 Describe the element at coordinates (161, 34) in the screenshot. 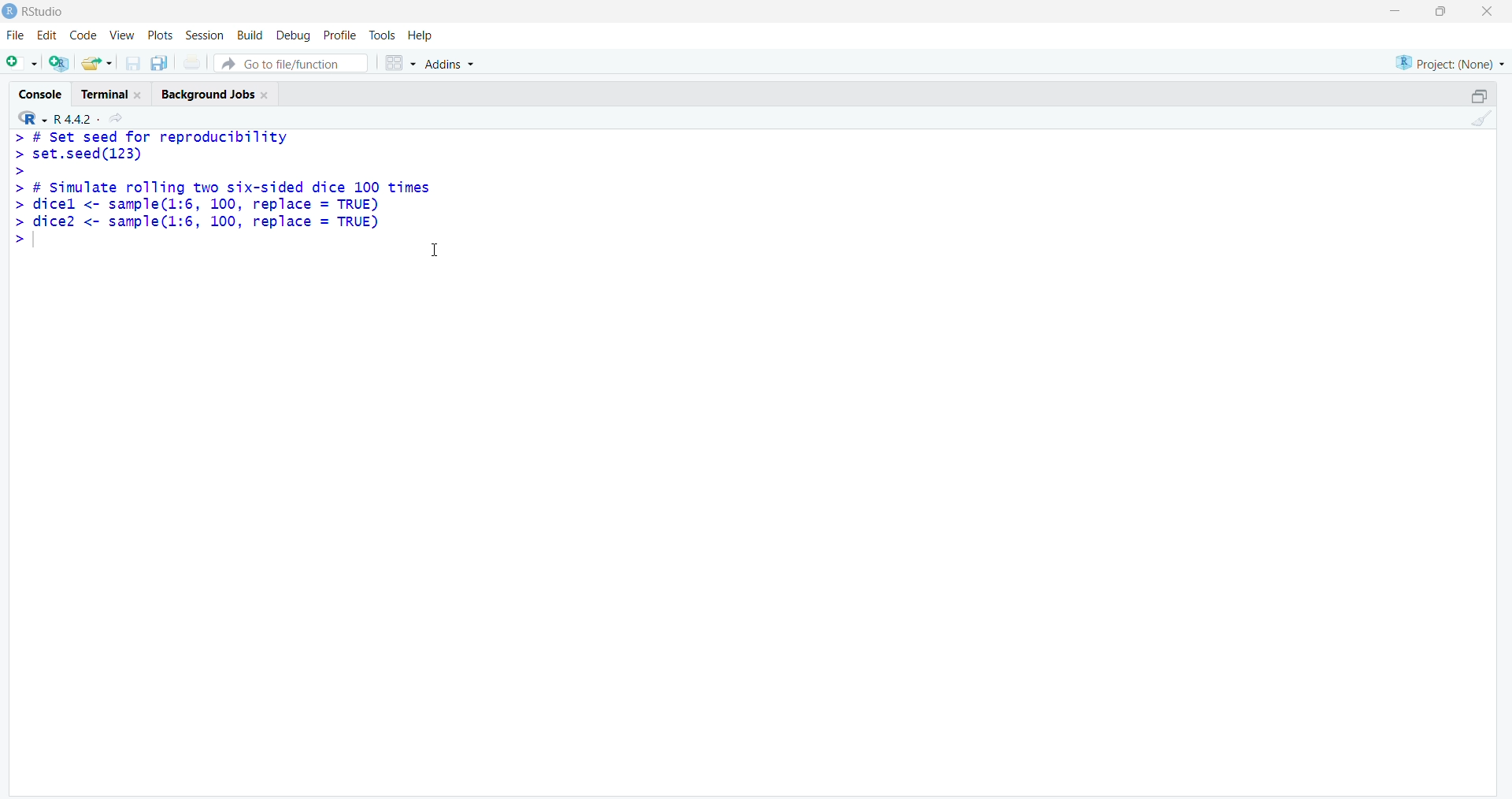

I see `plots` at that location.